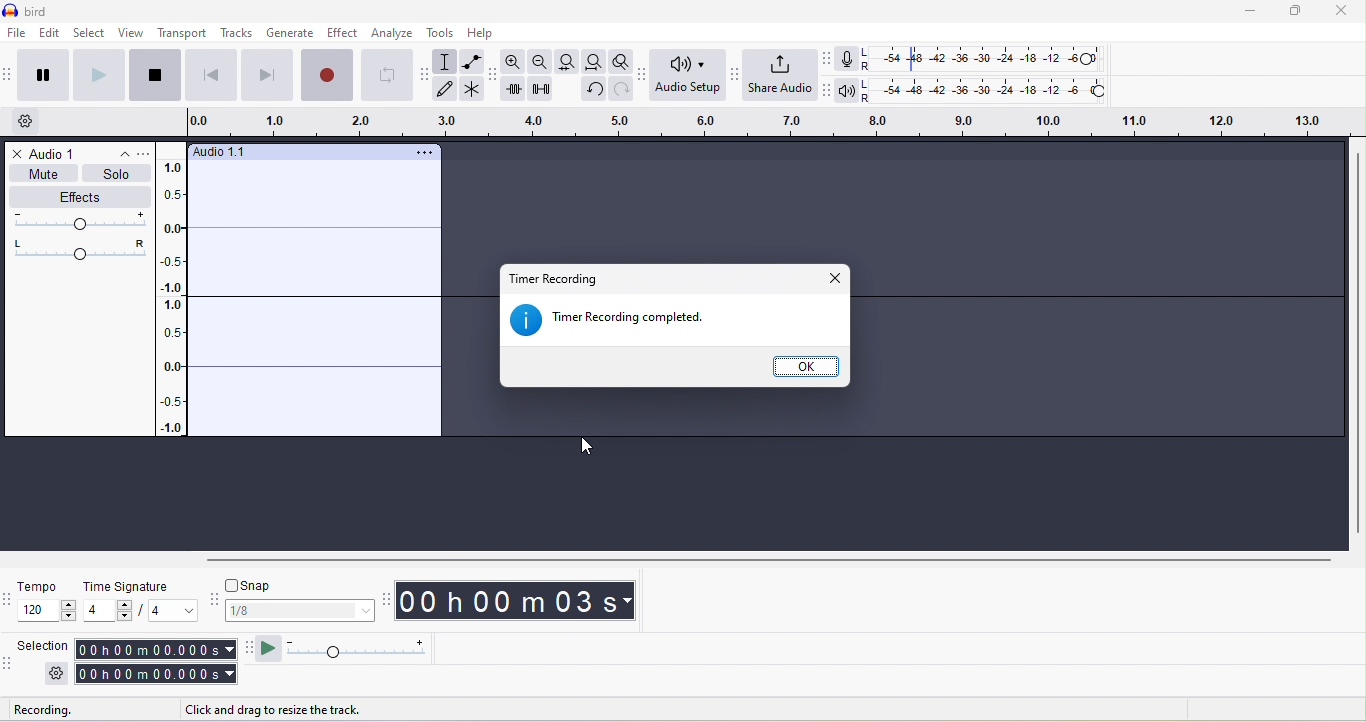 The width and height of the screenshot is (1366, 722). Describe the element at coordinates (79, 222) in the screenshot. I see `volume` at that location.